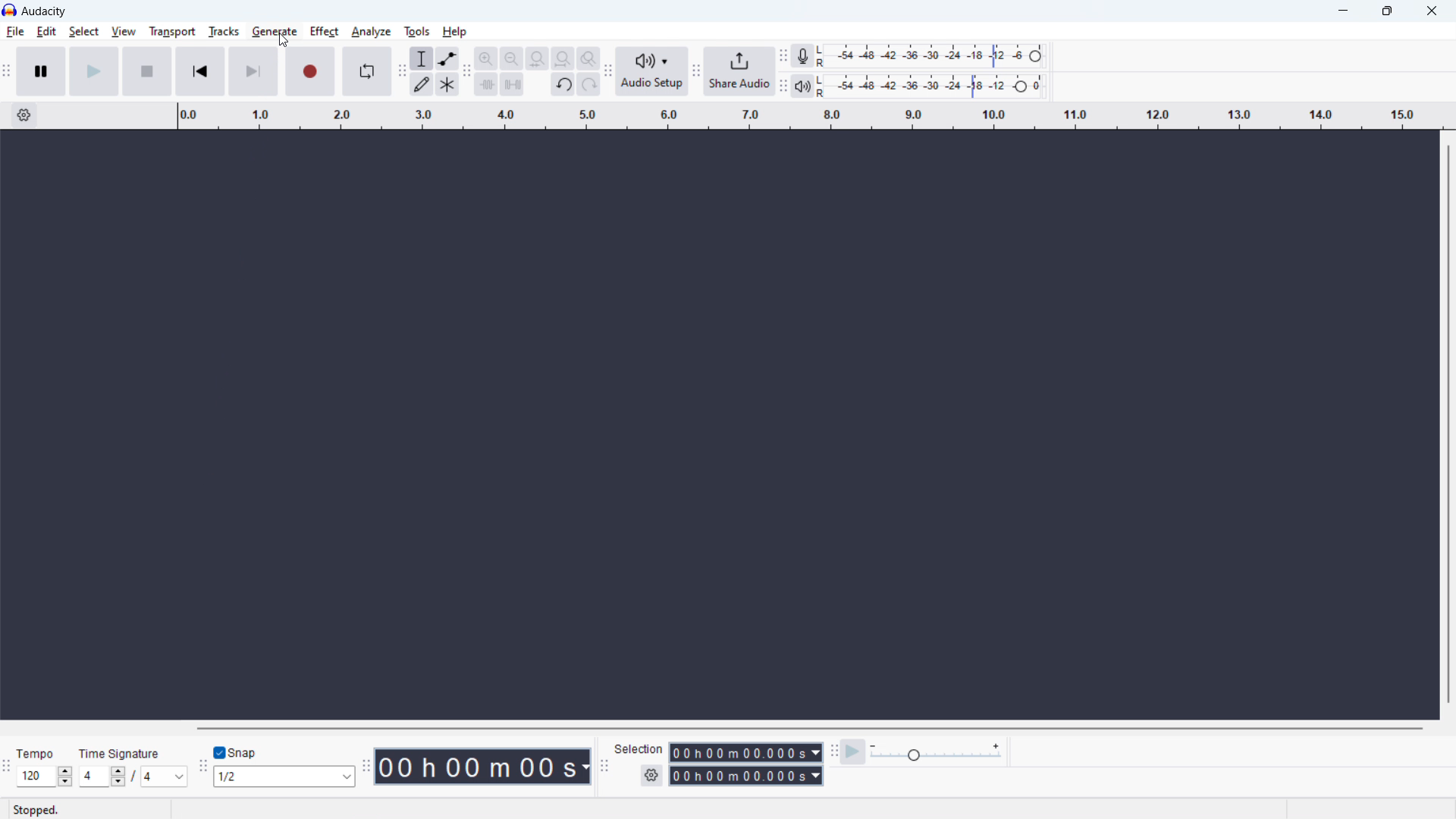 The height and width of the screenshot is (819, 1456). I want to click on multi tool, so click(447, 83).